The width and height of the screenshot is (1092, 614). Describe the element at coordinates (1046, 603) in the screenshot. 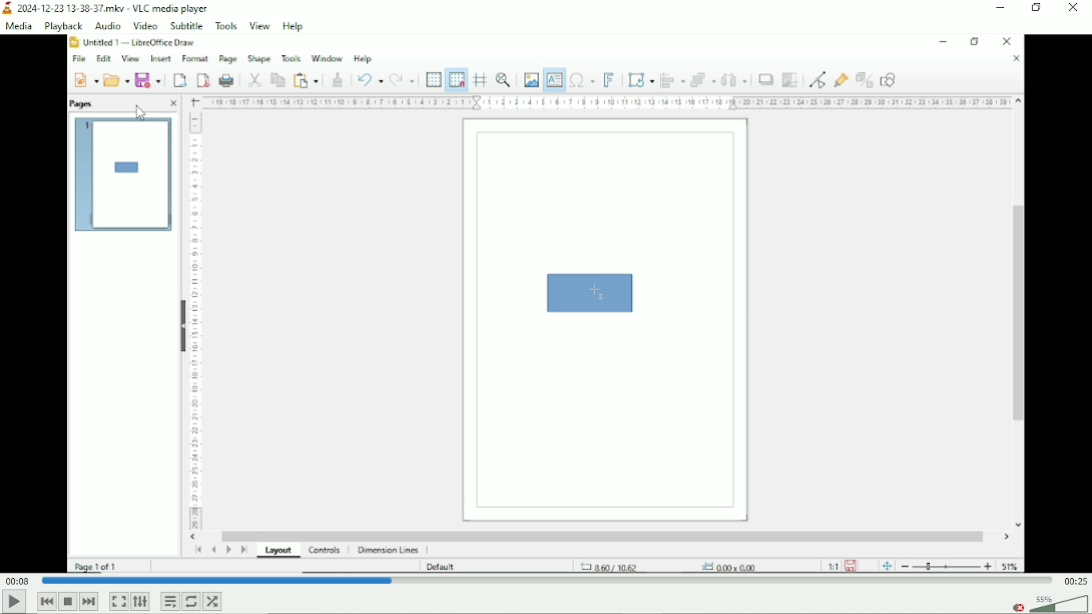

I see `Volume` at that location.